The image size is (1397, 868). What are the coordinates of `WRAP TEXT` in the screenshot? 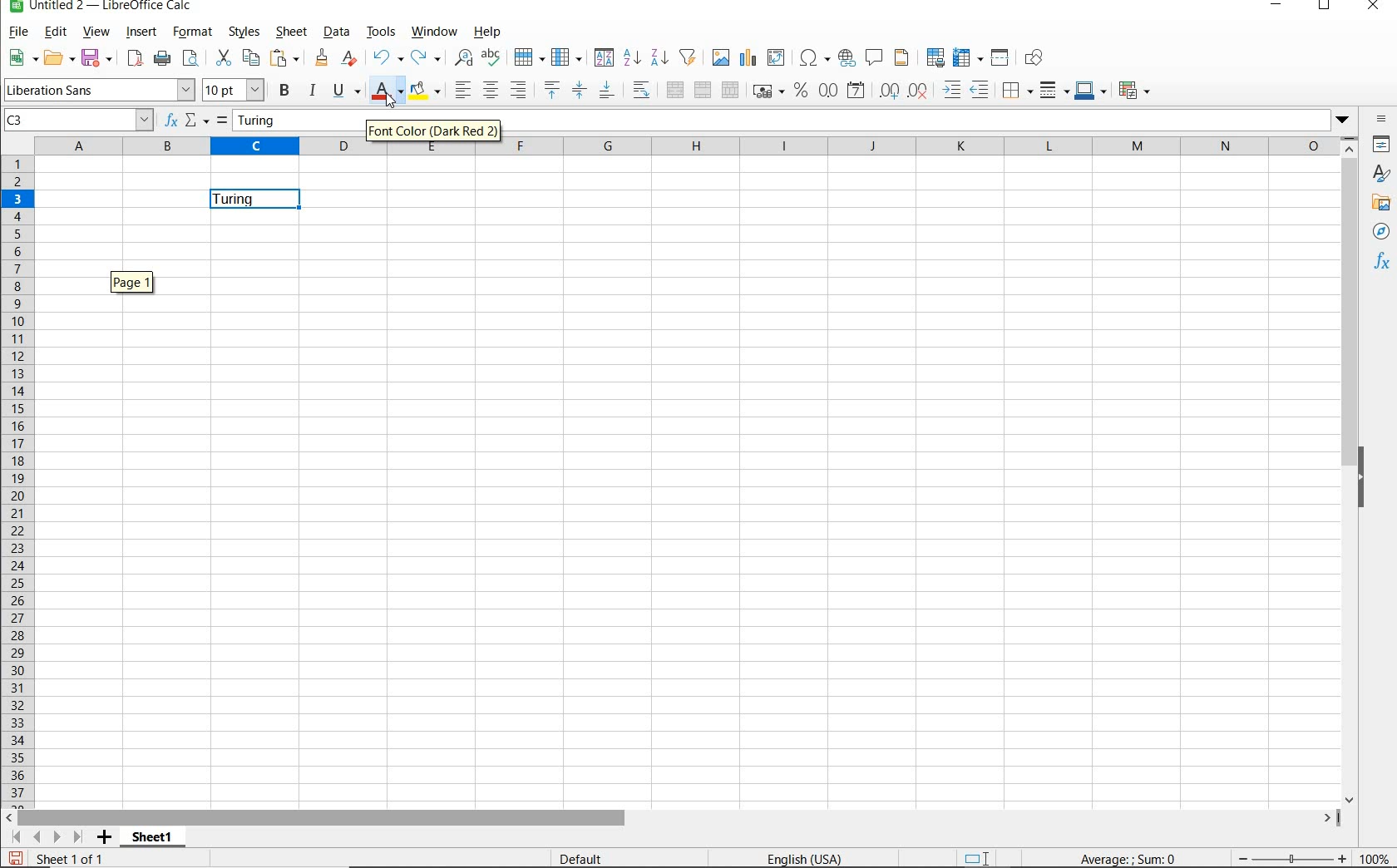 It's located at (639, 91).